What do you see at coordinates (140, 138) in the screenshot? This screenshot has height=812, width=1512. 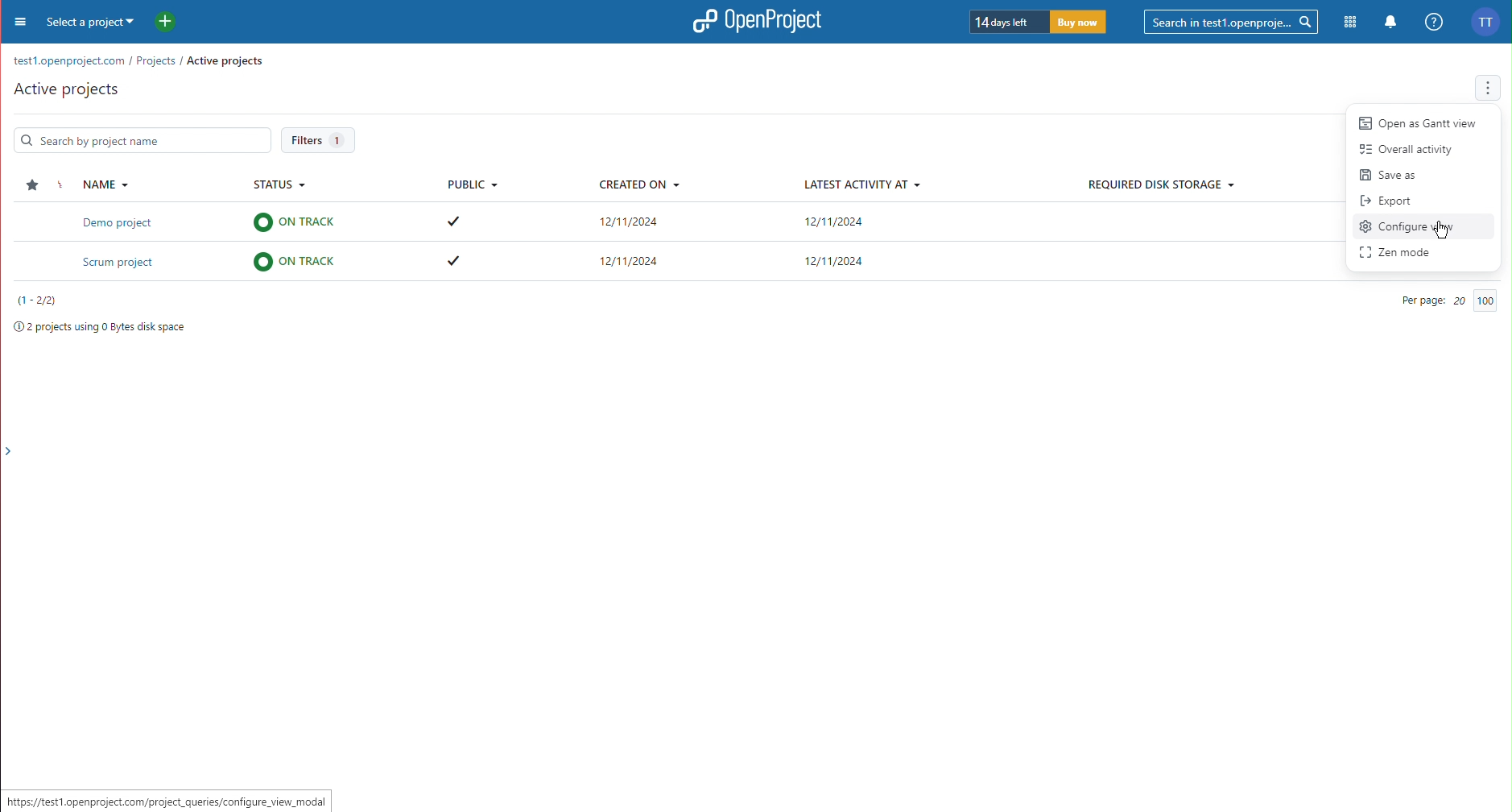 I see `Search Bar` at bounding box center [140, 138].